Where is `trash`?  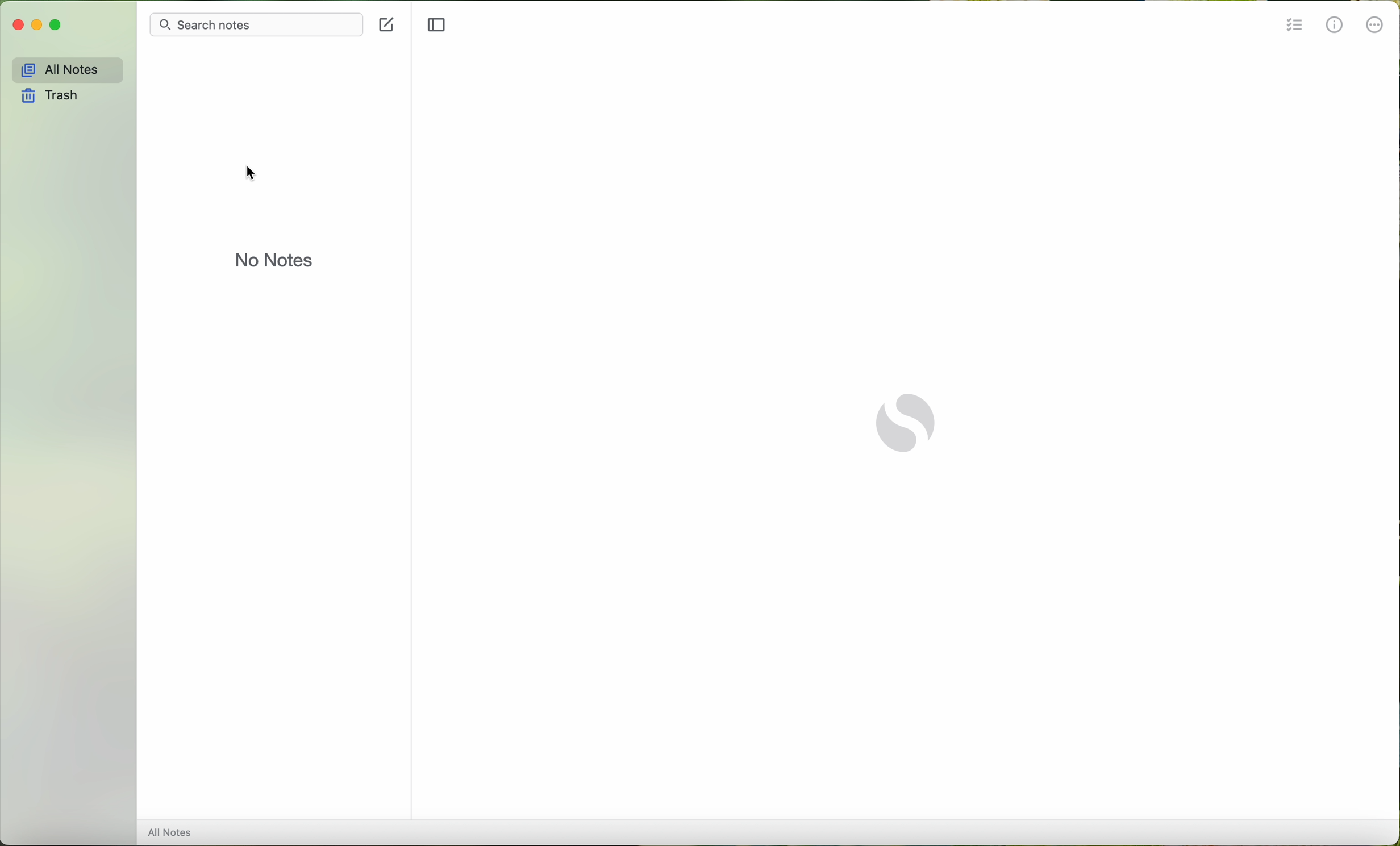
trash is located at coordinates (52, 98).